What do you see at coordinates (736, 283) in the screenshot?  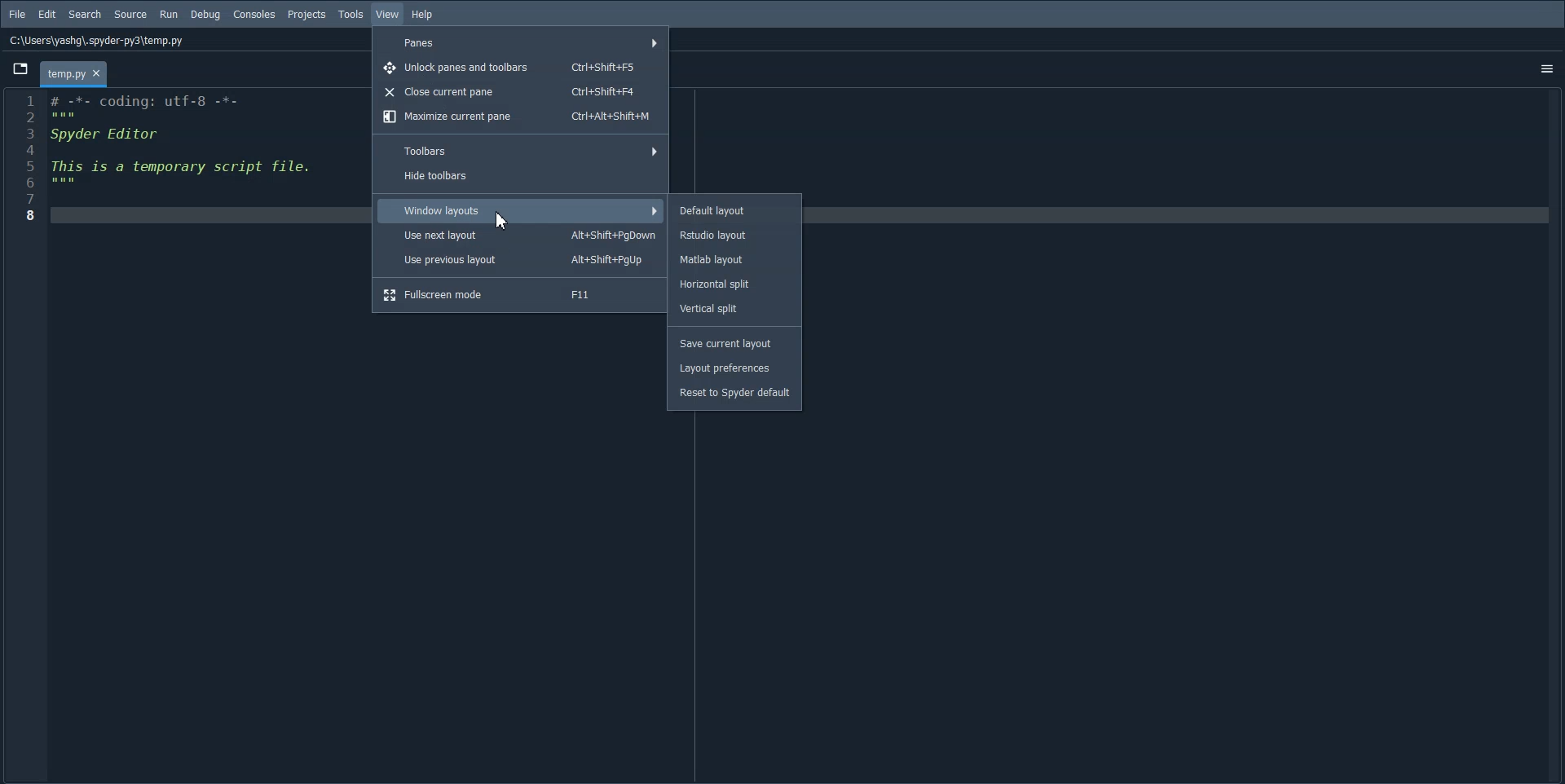 I see `Horizontal split` at bounding box center [736, 283].